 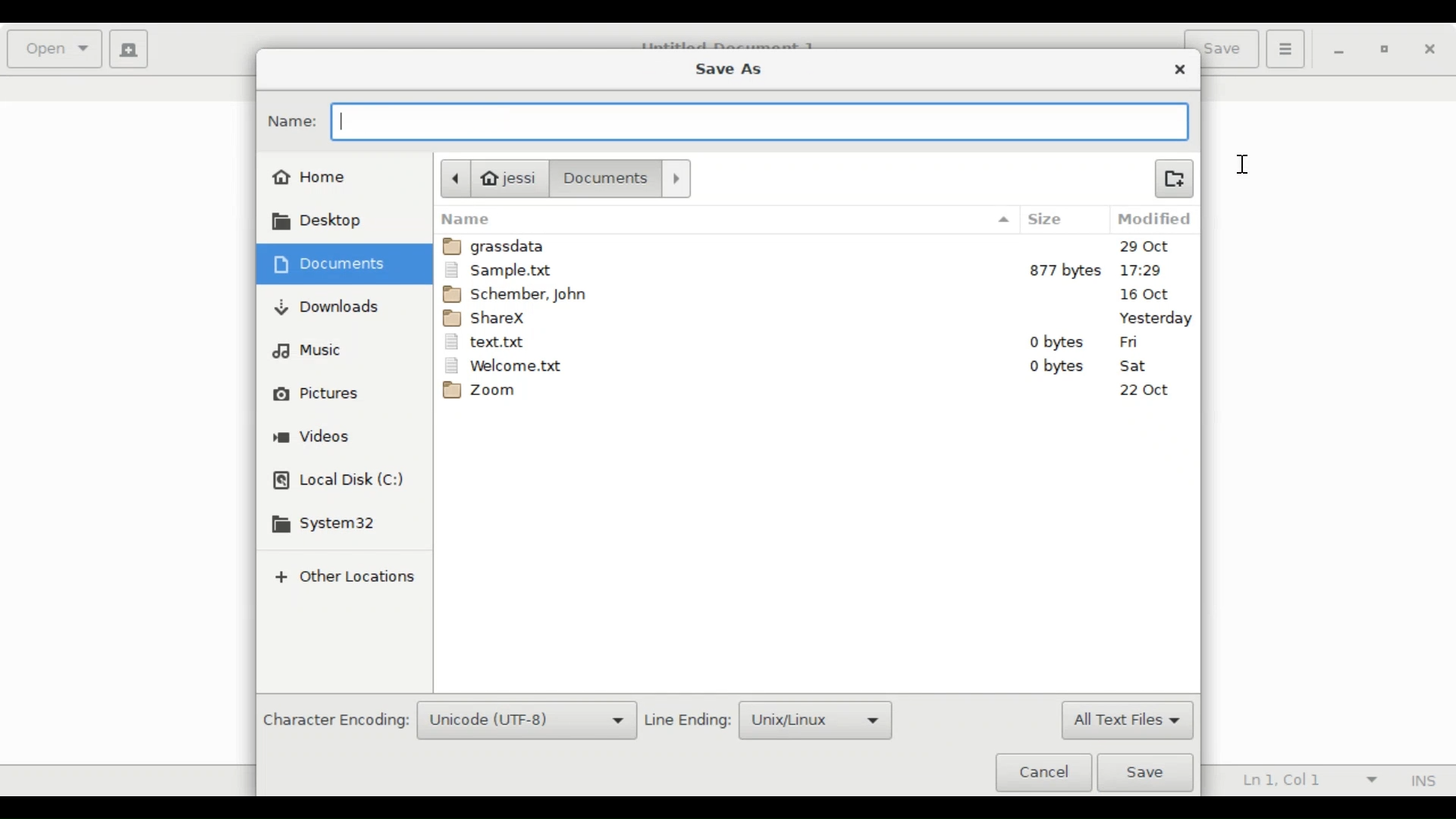 What do you see at coordinates (1420, 781) in the screenshot?
I see `Insert Mode` at bounding box center [1420, 781].